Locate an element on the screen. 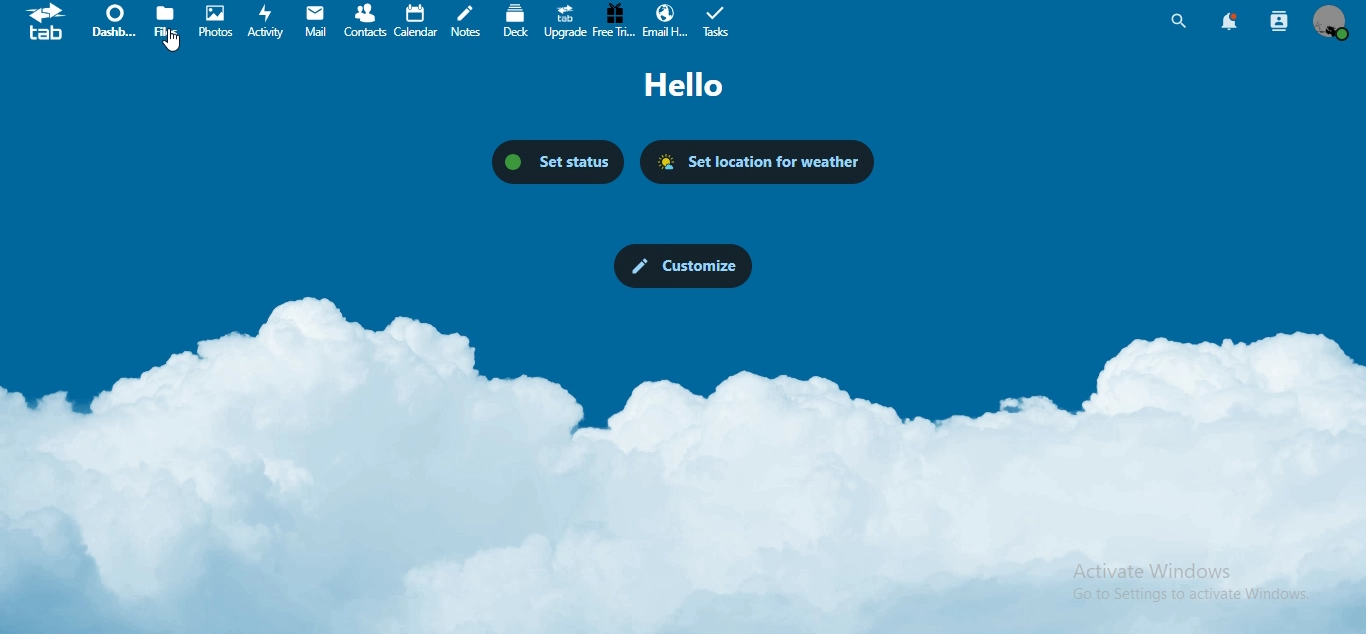  tasks is located at coordinates (715, 22).